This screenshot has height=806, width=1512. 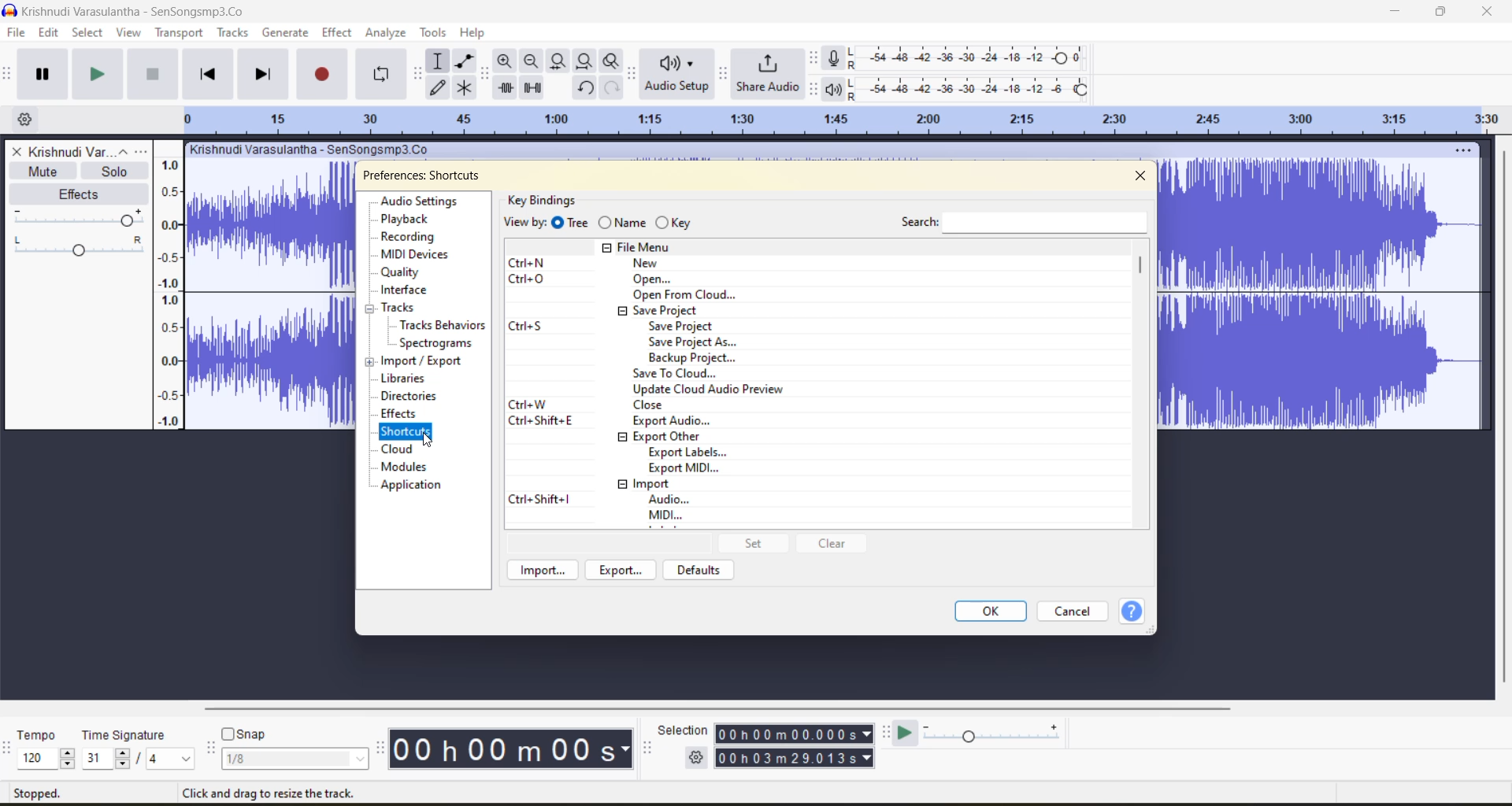 I want to click on keyboard shortcuts, so click(x=639, y=385).